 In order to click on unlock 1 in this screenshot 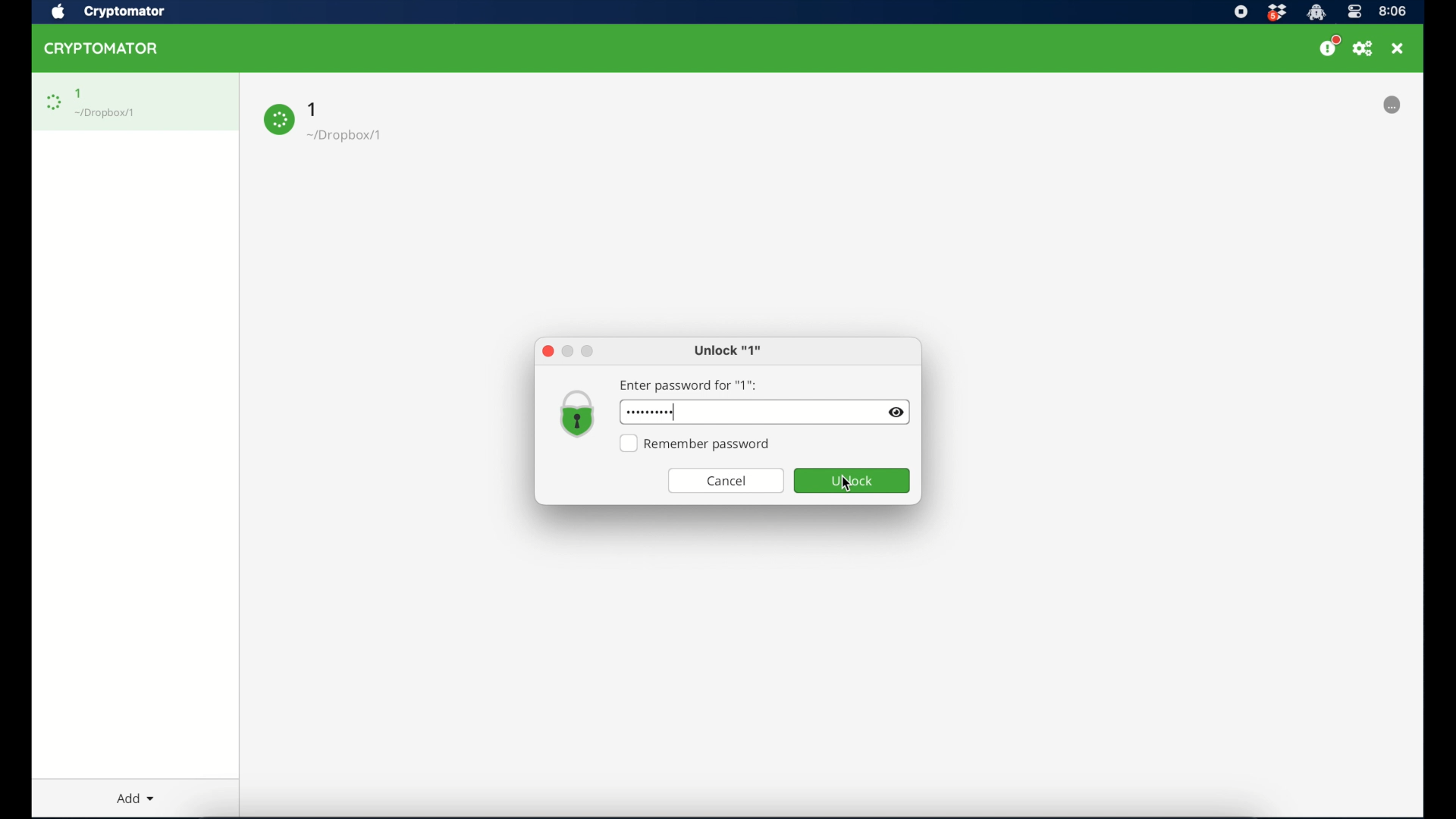, I will do `click(728, 351)`.